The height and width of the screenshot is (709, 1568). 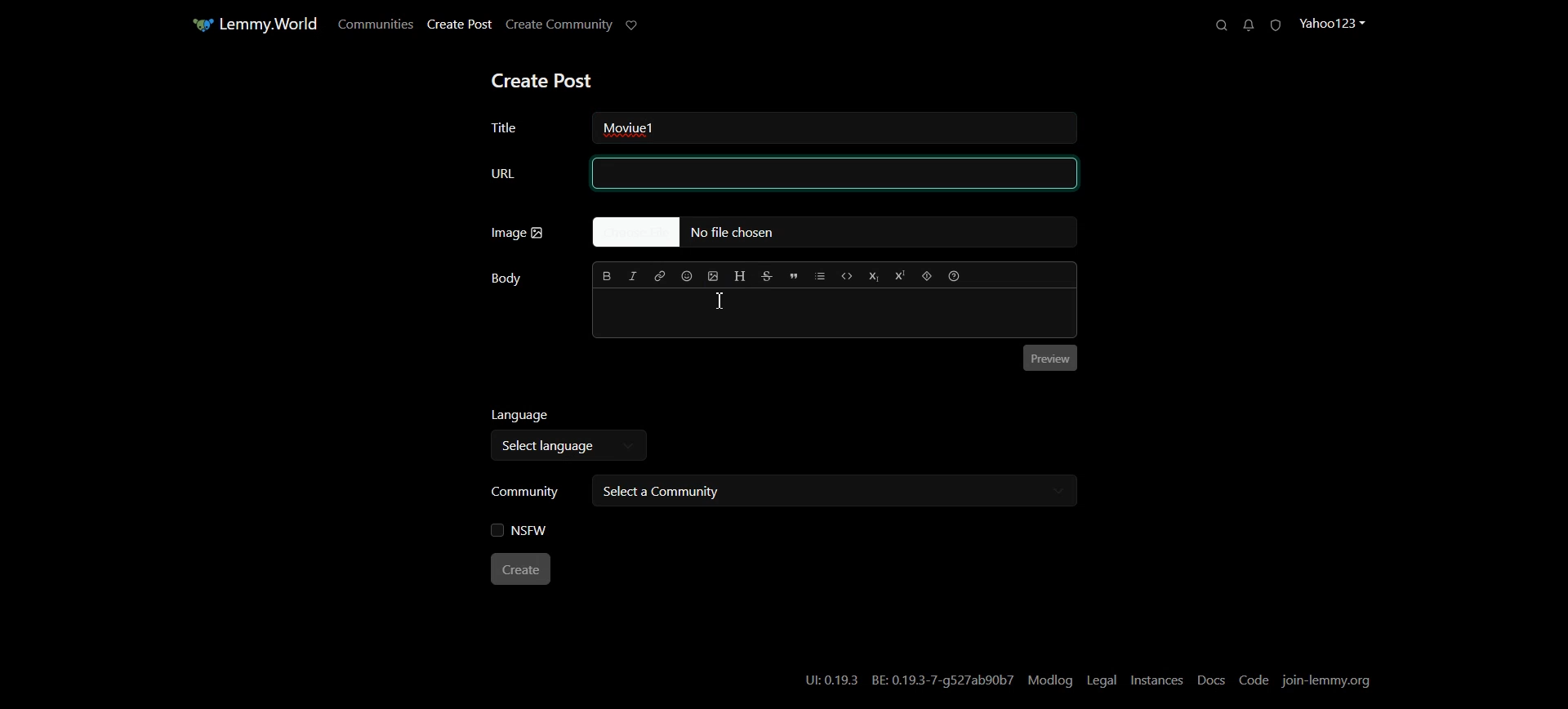 I want to click on Spoiler, so click(x=927, y=275).